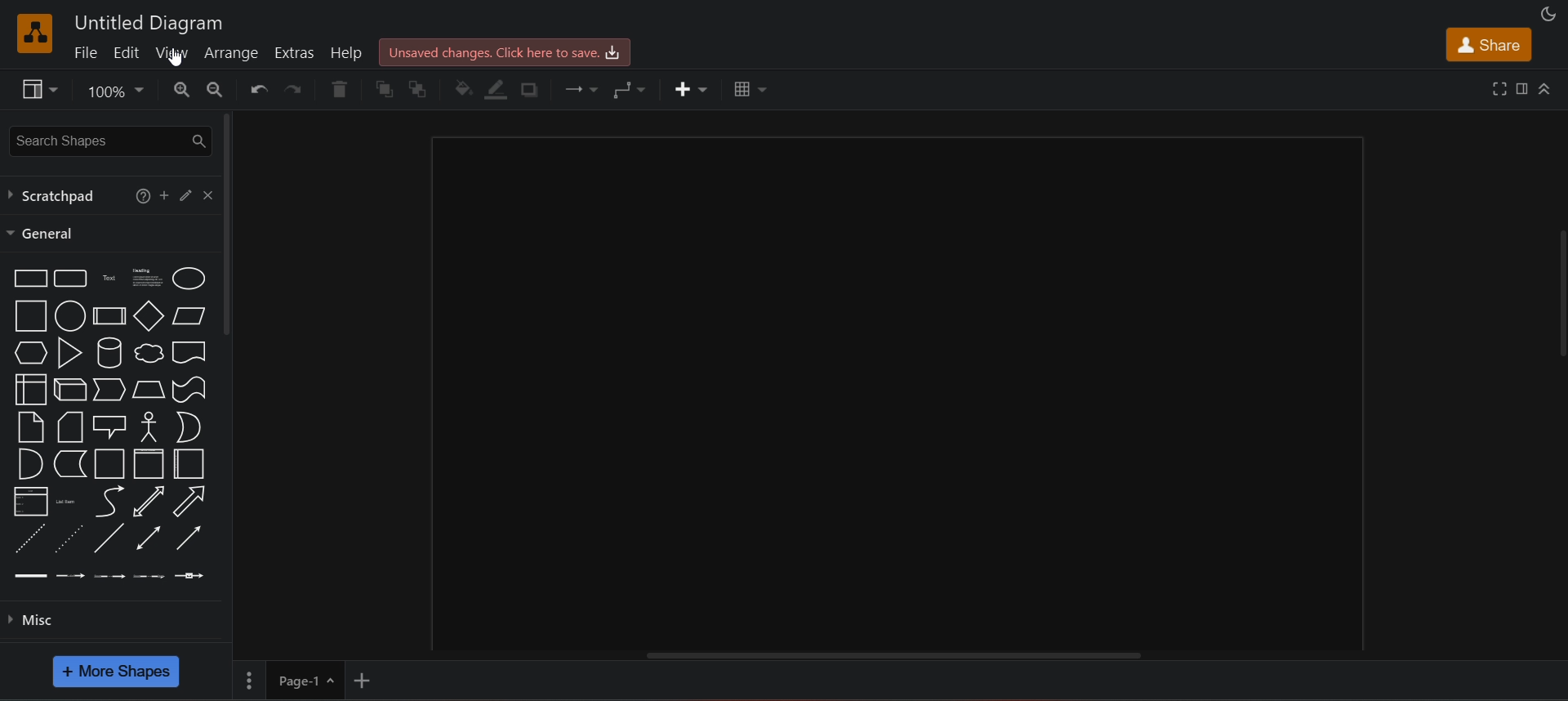 This screenshot has height=701, width=1568. What do you see at coordinates (69, 576) in the screenshot?
I see `connector with lable` at bounding box center [69, 576].